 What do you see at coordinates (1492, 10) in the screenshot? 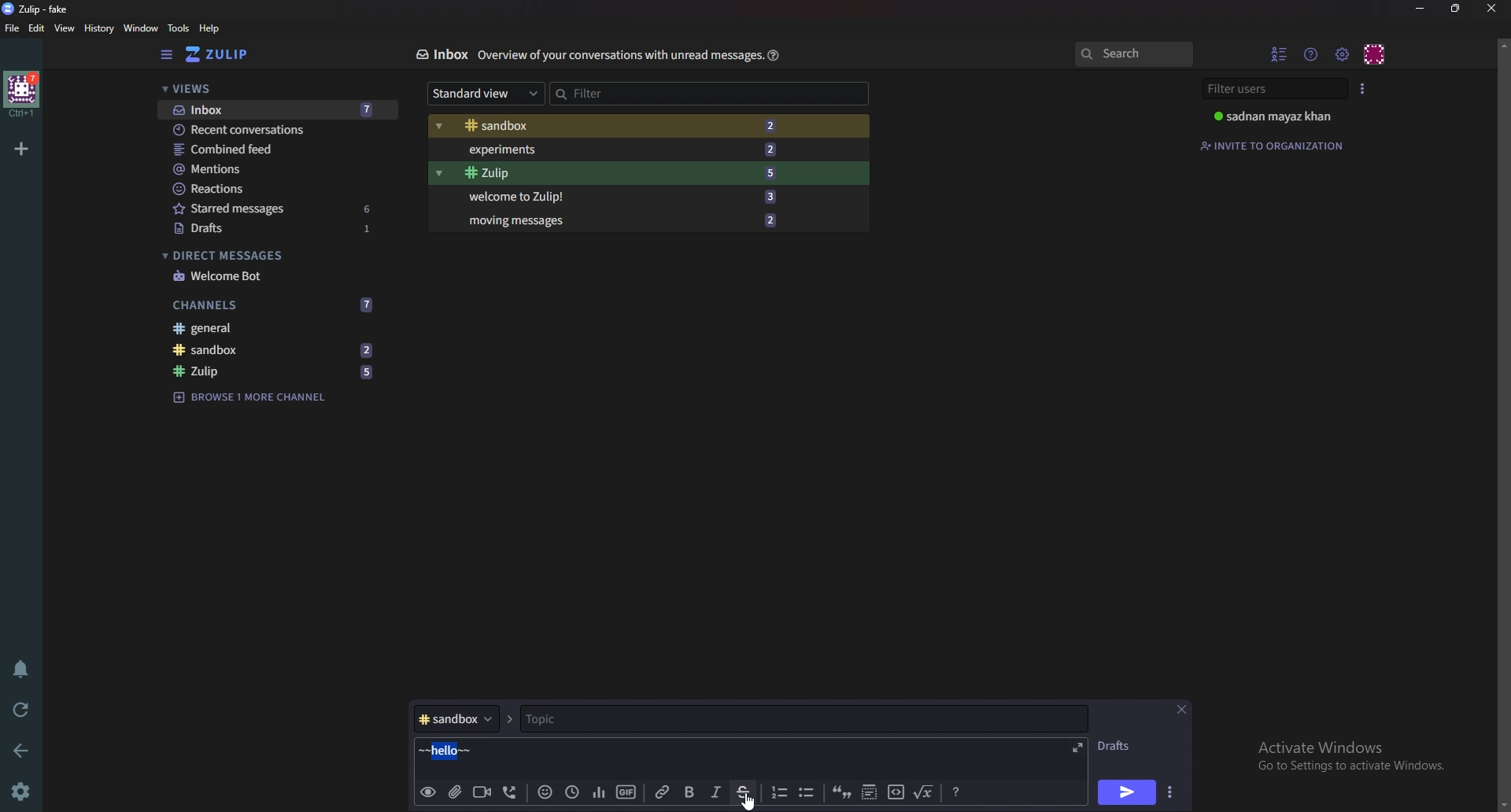
I see `close` at bounding box center [1492, 10].